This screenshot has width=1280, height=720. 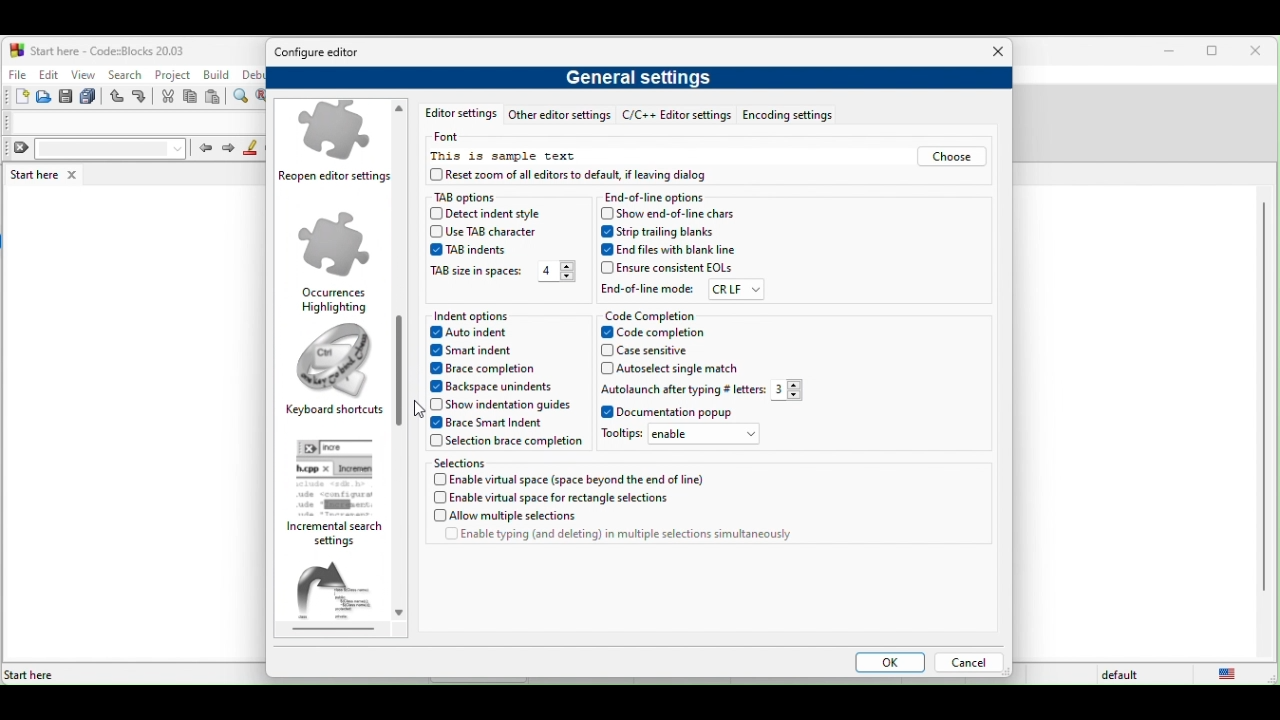 I want to click on other editor setting, so click(x=559, y=117).